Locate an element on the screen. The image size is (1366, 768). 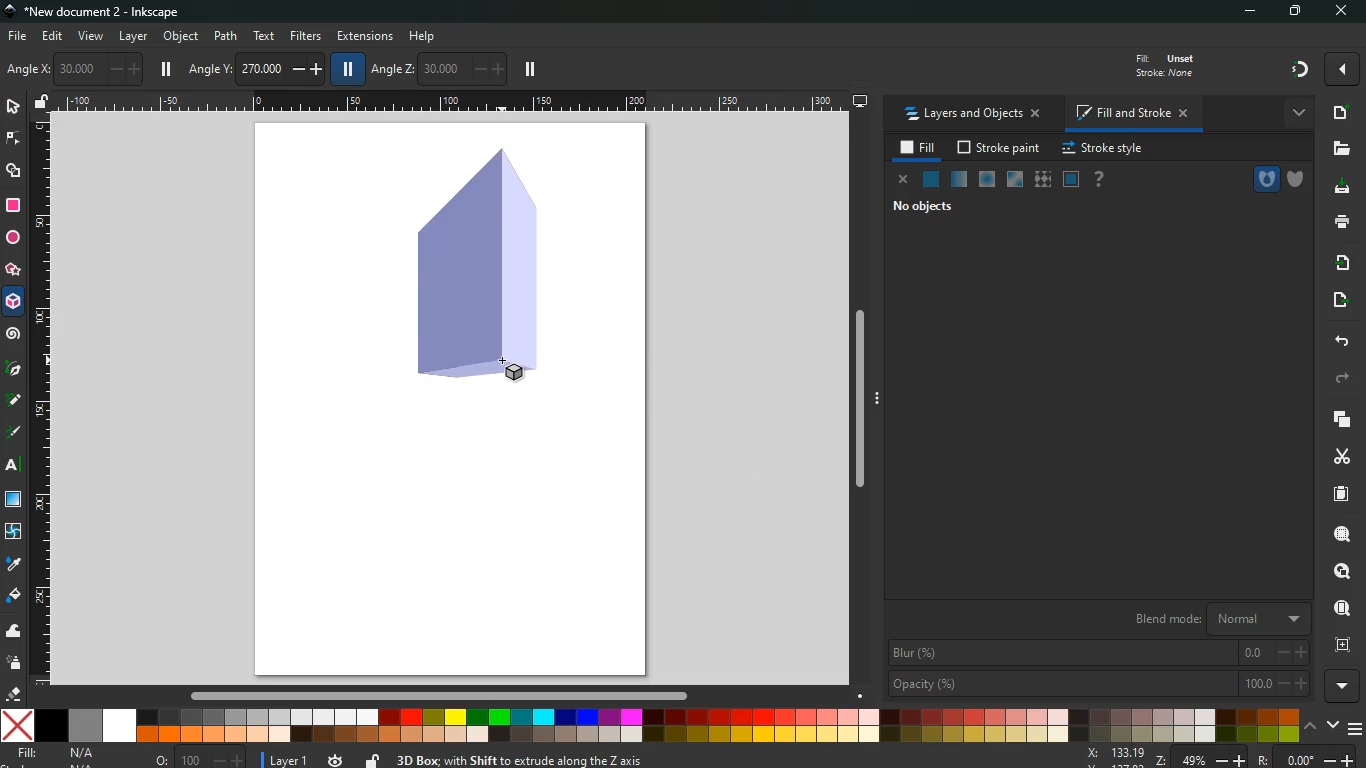
Scroll bar is located at coordinates (866, 401).